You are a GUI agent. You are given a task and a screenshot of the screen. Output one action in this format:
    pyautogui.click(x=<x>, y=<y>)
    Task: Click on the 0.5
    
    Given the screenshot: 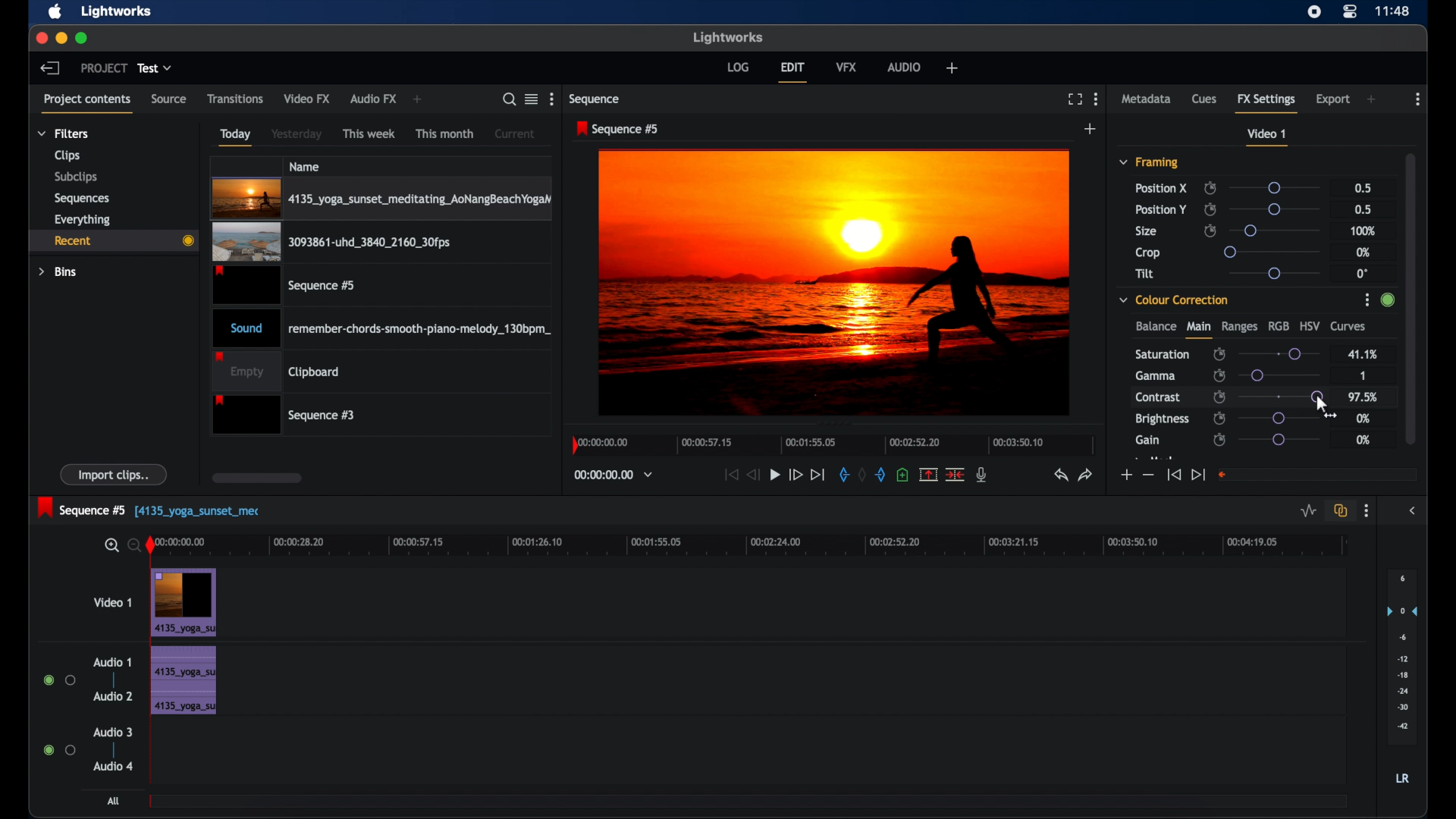 What is the action you would take?
    pyautogui.click(x=1362, y=209)
    